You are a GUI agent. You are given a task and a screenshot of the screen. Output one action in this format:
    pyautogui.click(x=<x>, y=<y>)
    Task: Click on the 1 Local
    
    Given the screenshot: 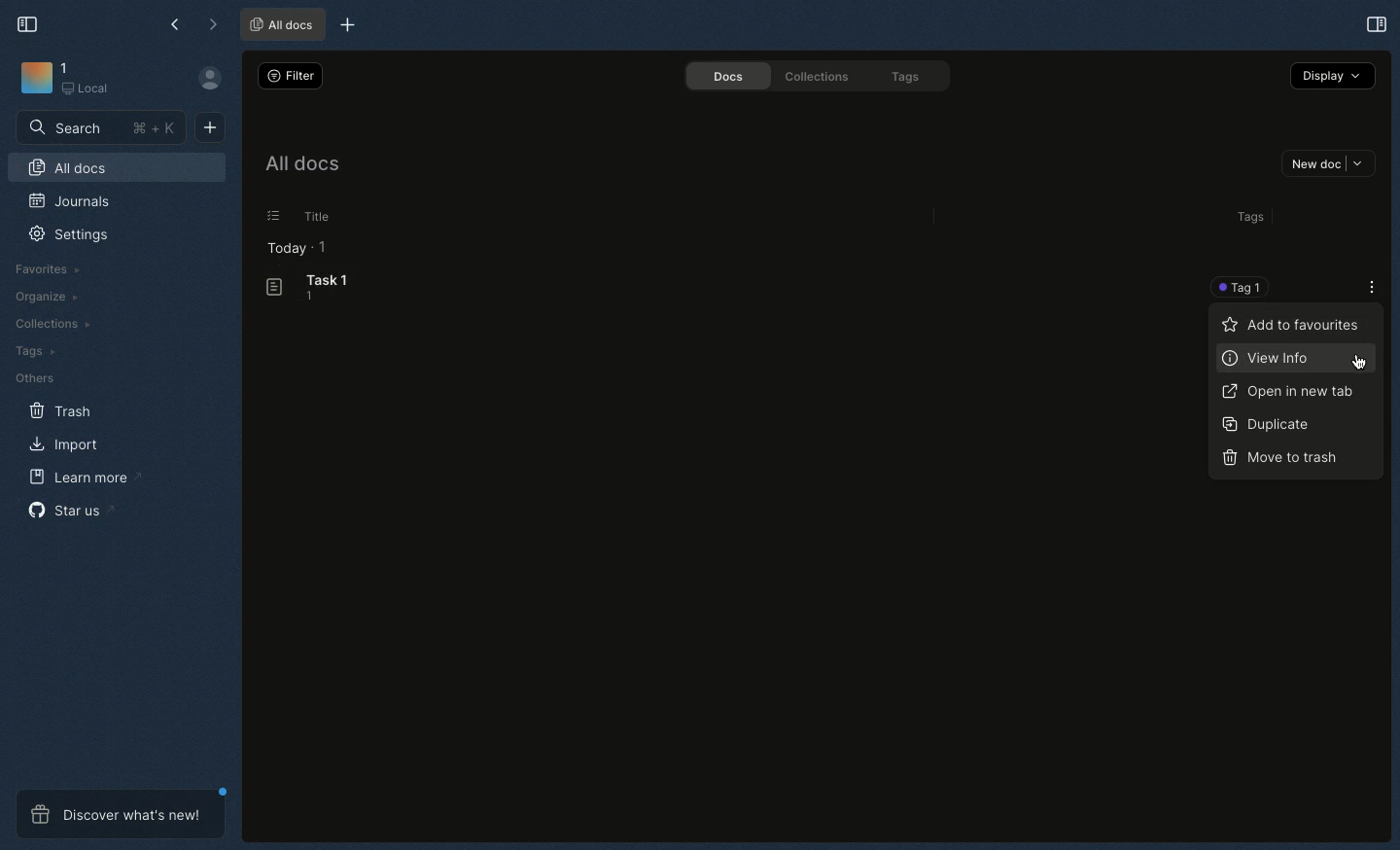 What is the action you would take?
    pyautogui.click(x=87, y=78)
    